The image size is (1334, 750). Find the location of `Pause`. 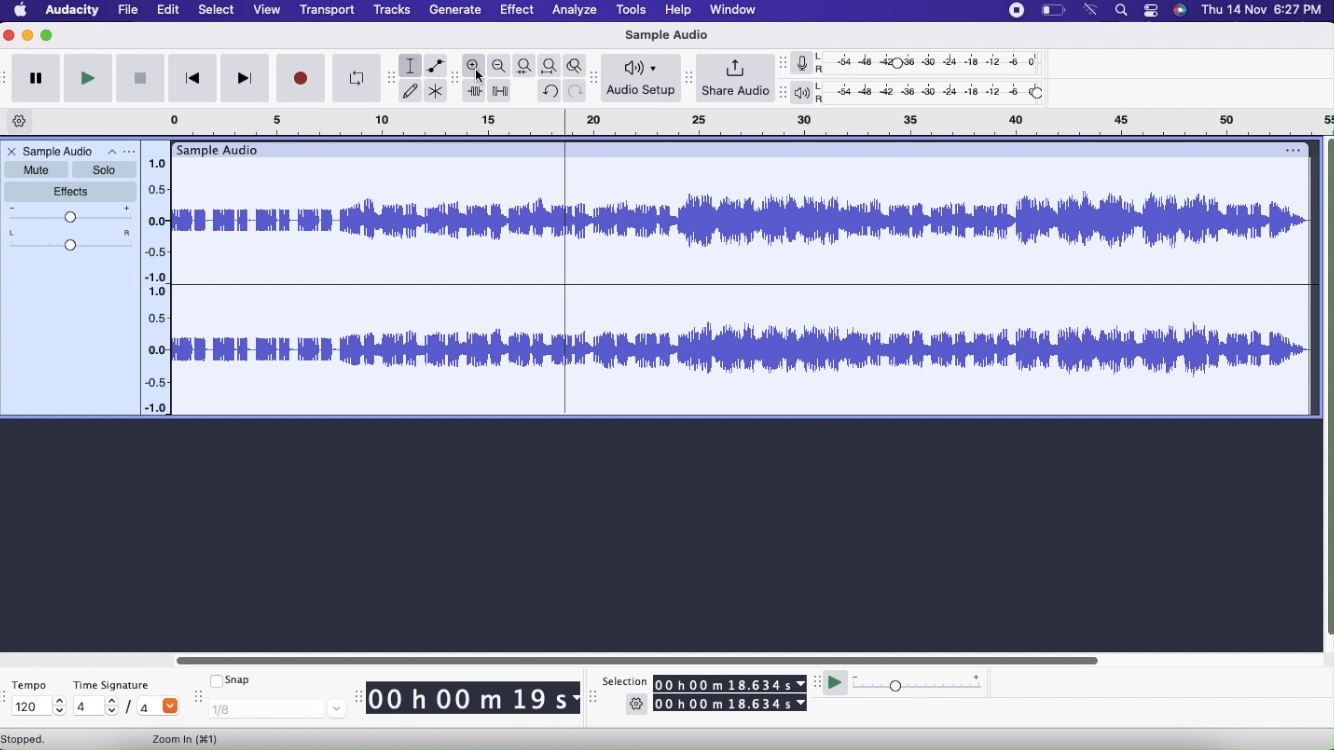

Pause is located at coordinates (38, 79).